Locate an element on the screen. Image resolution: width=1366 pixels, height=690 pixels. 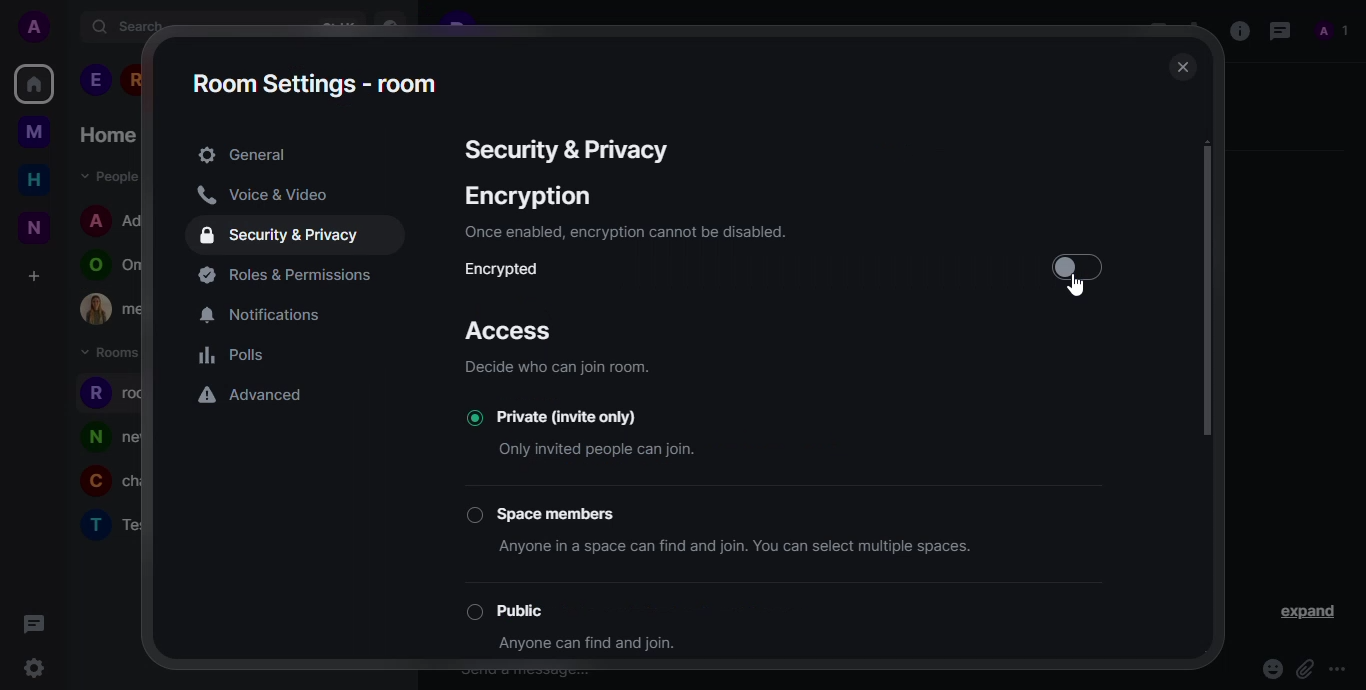
close is located at coordinates (1179, 69).